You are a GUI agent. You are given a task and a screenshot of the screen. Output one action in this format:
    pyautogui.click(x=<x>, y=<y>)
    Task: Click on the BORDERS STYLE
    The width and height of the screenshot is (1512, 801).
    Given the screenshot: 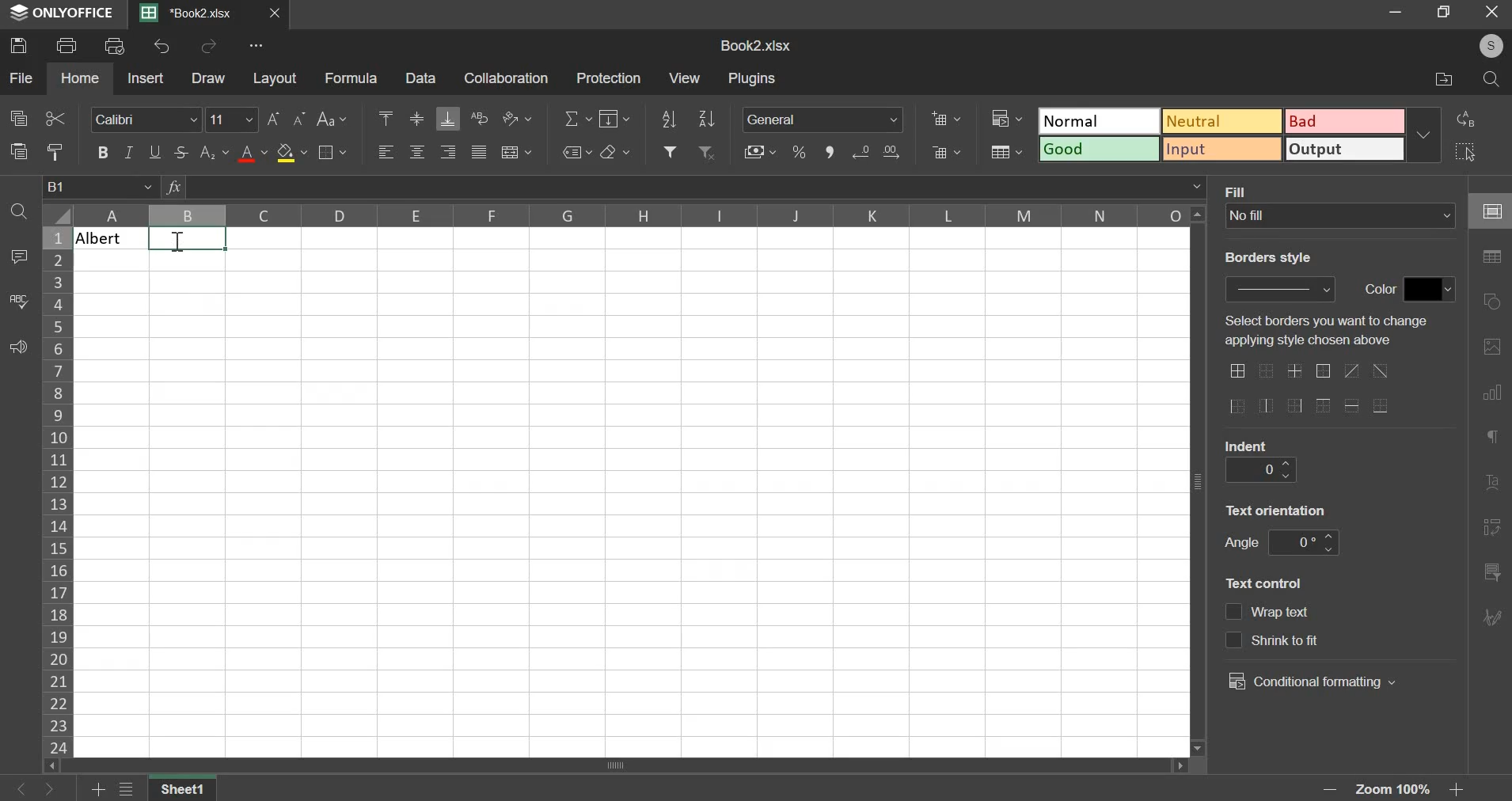 What is the action you would take?
    pyautogui.click(x=1266, y=256)
    